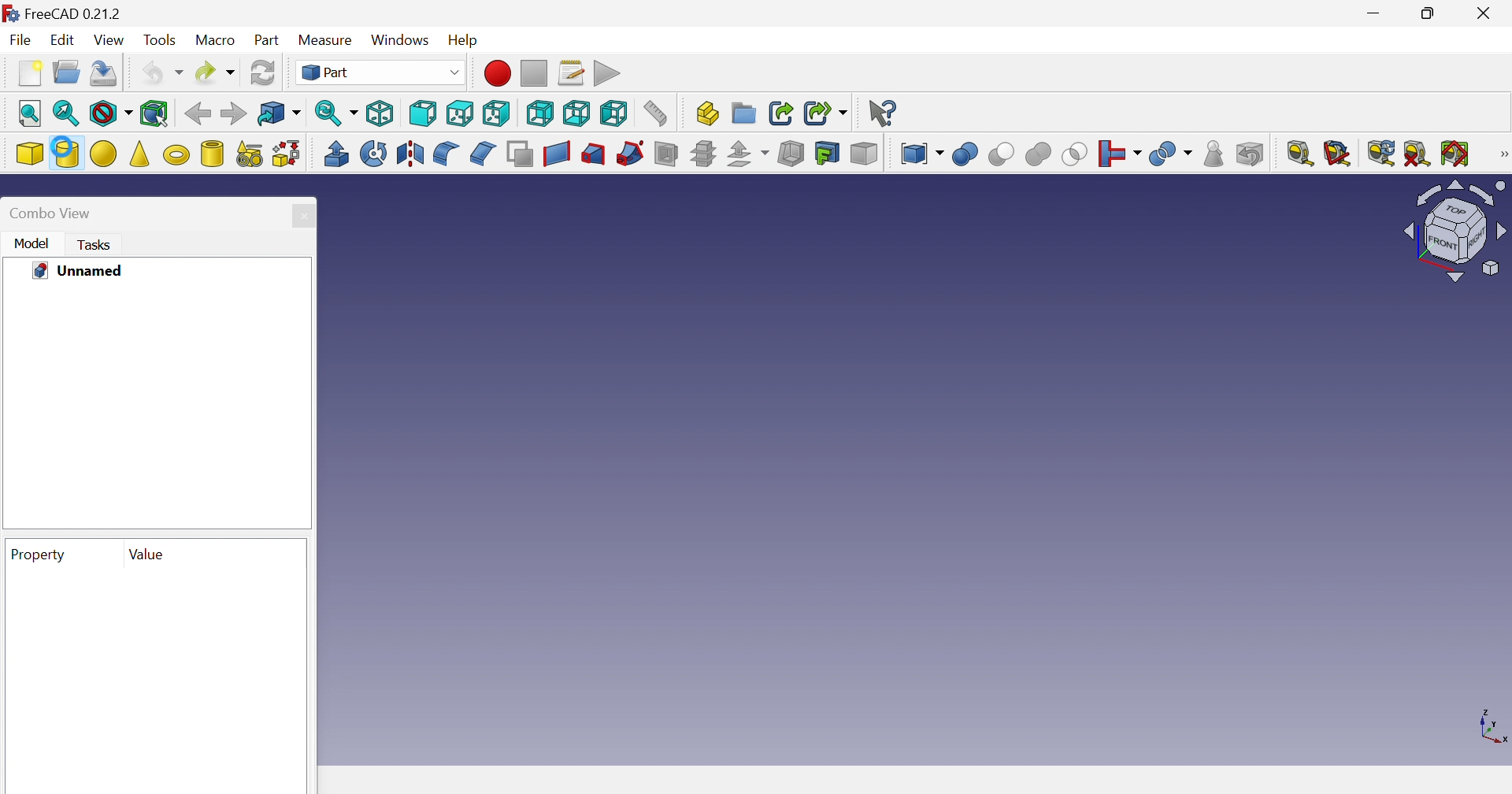 The height and width of the screenshot is (794, 1512). What do you see at coordinates (828, 153) in the screenshot?
I see `Create projection on surface...` at bounding box center [828, 153].